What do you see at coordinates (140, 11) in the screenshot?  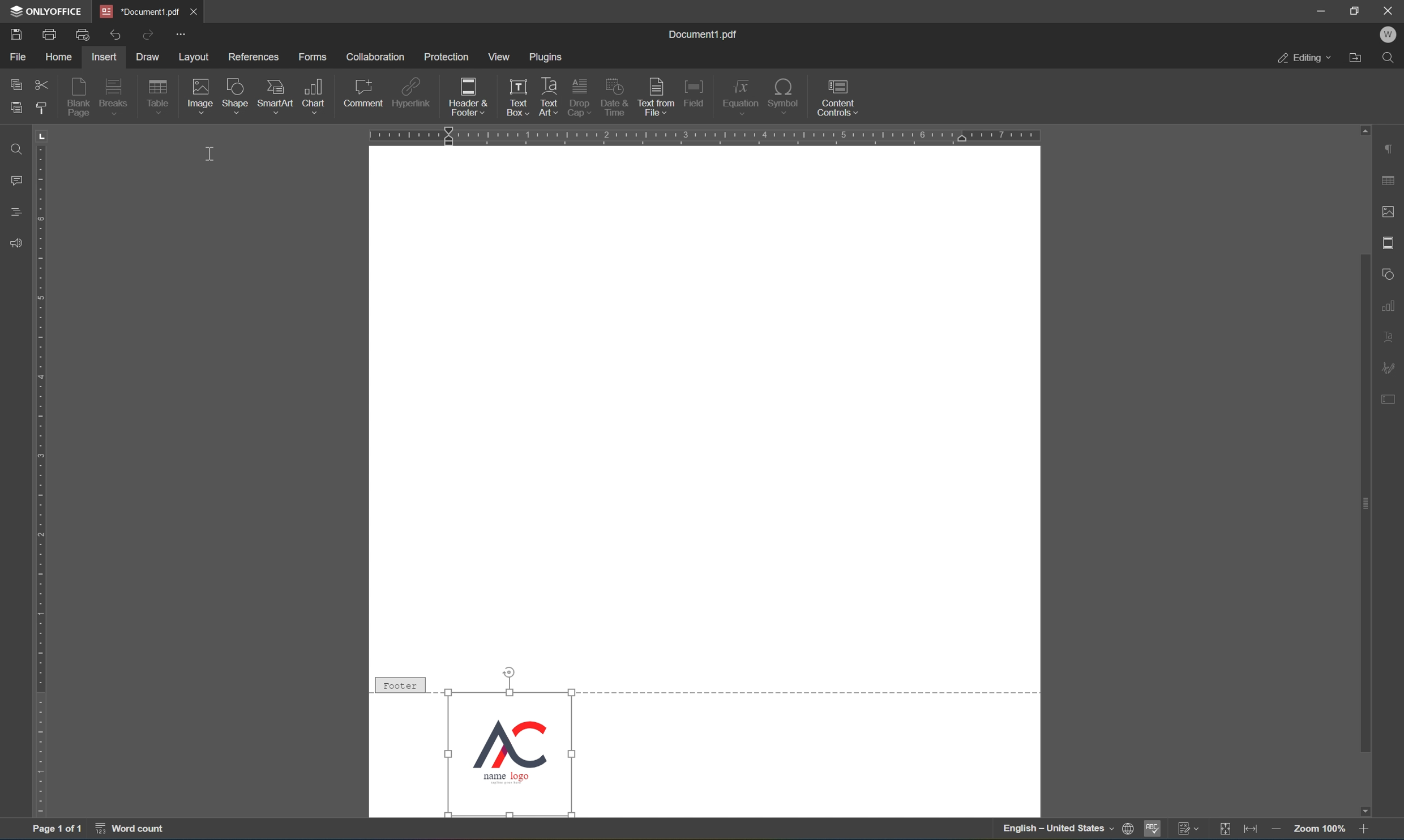 I see `document.pdf` at bounding box center [140, 11].